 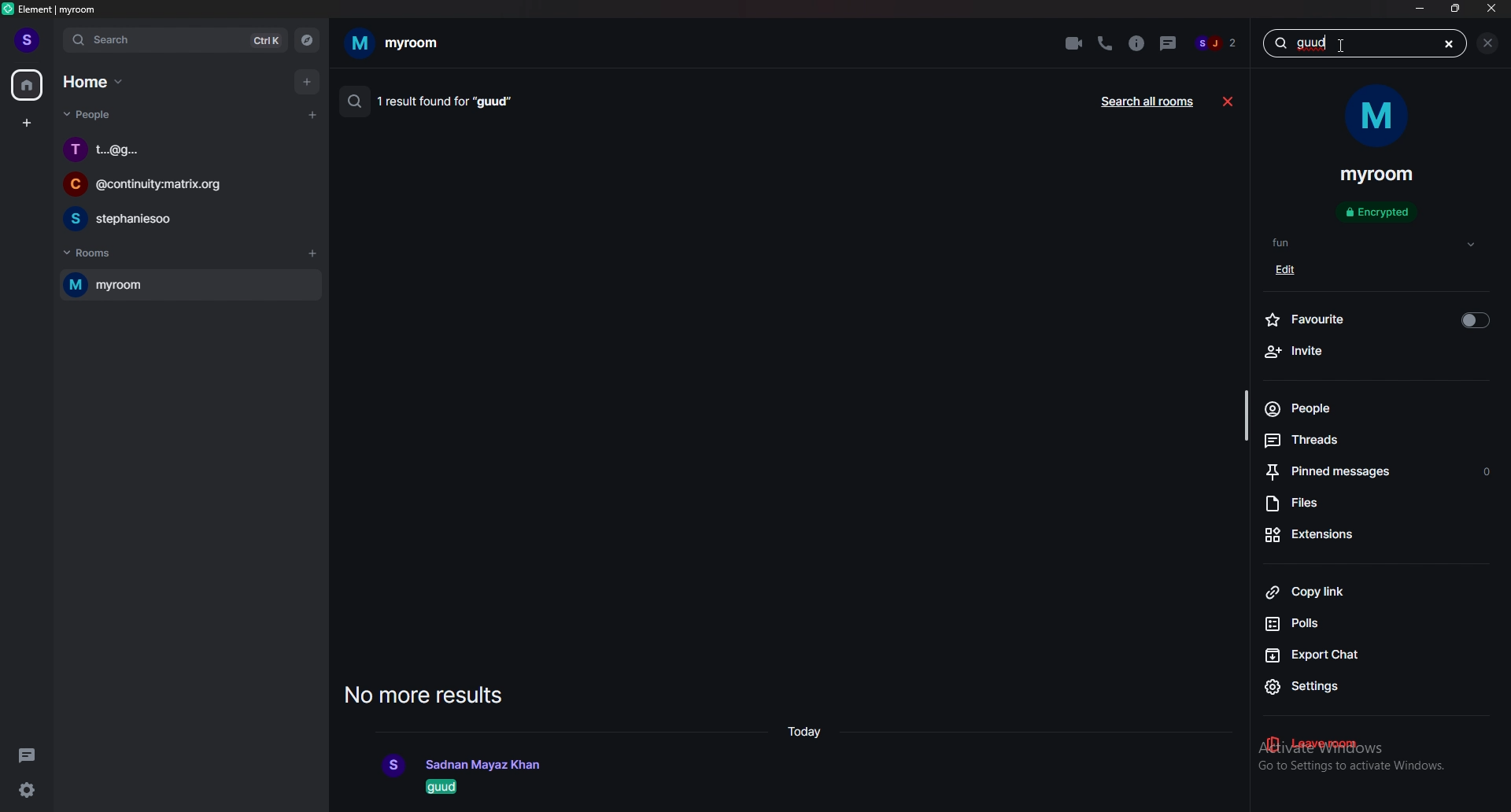 What do you see at coordinates (1163, 43) in the screenshot?
I see `threads` at bounding box center [1163, 43].